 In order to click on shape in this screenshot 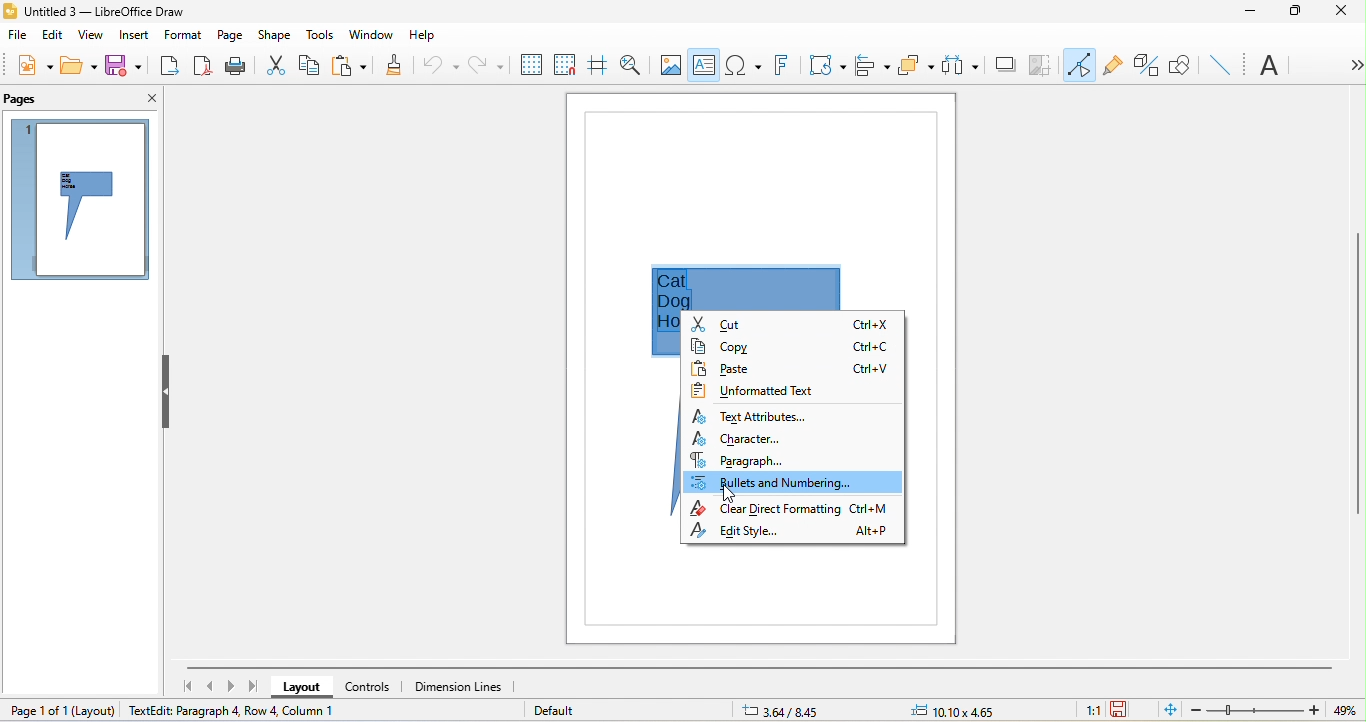, I will do `click(276, 35)`.